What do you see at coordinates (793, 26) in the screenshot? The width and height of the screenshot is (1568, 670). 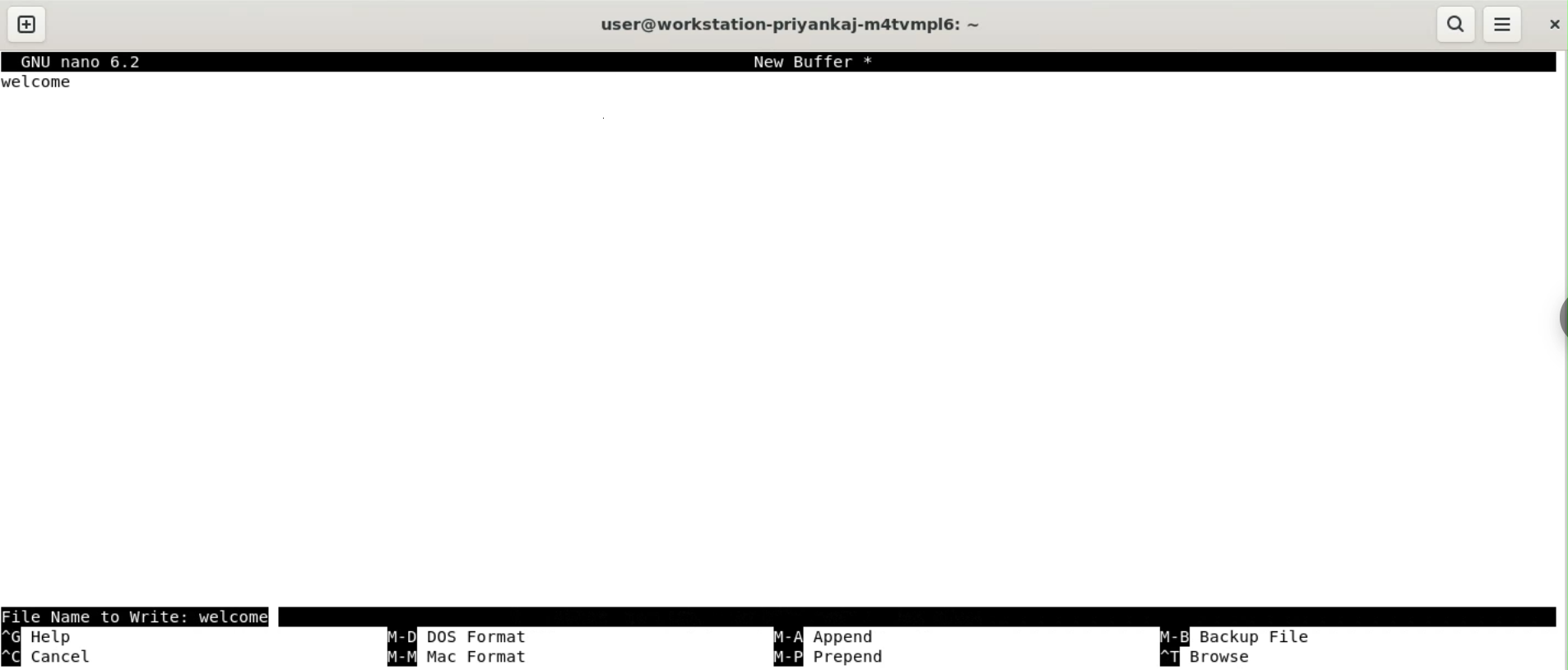 I see `user@workstation-privankaj-m4atvmplé6: ~` at bounding box center [793, 26].